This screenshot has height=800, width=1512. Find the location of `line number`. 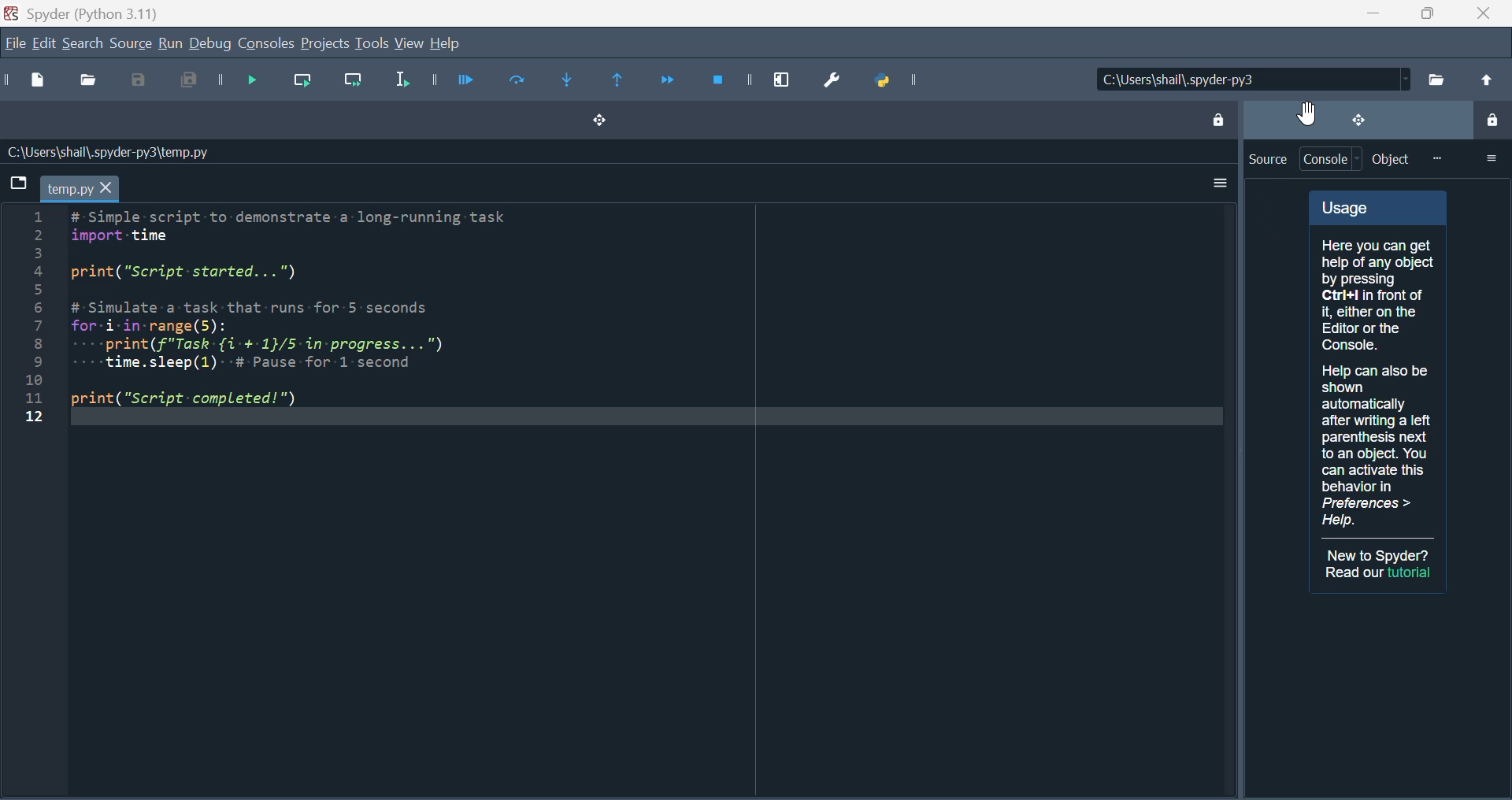

line number is located at coordinates (33, 317).